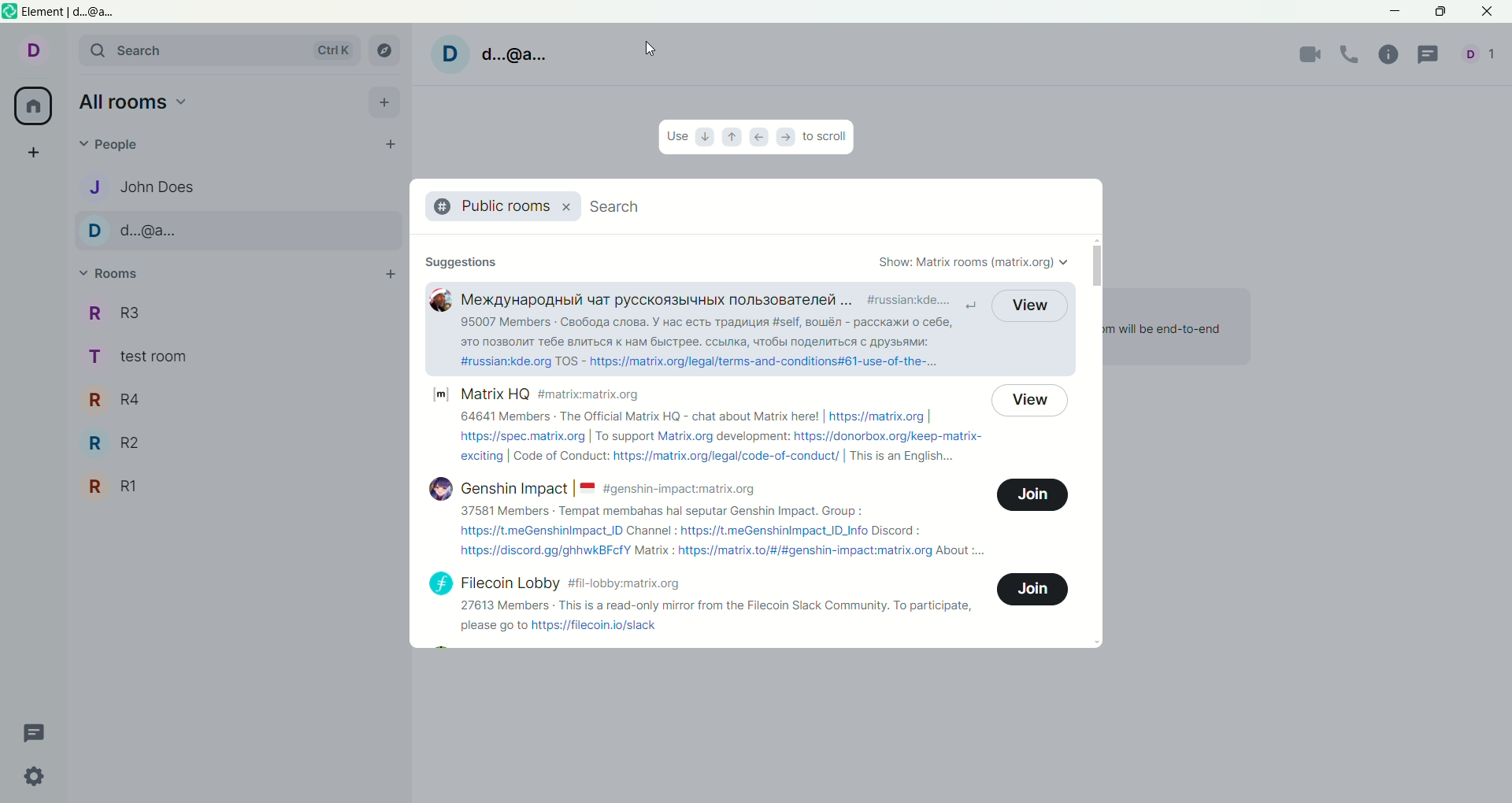 The height and width of the screenshot is (803, 1512). What do you see at coordinates (1094, 442) in the screenshot?
I see `vertical scroll bar` at bounding box center [1094, 442].